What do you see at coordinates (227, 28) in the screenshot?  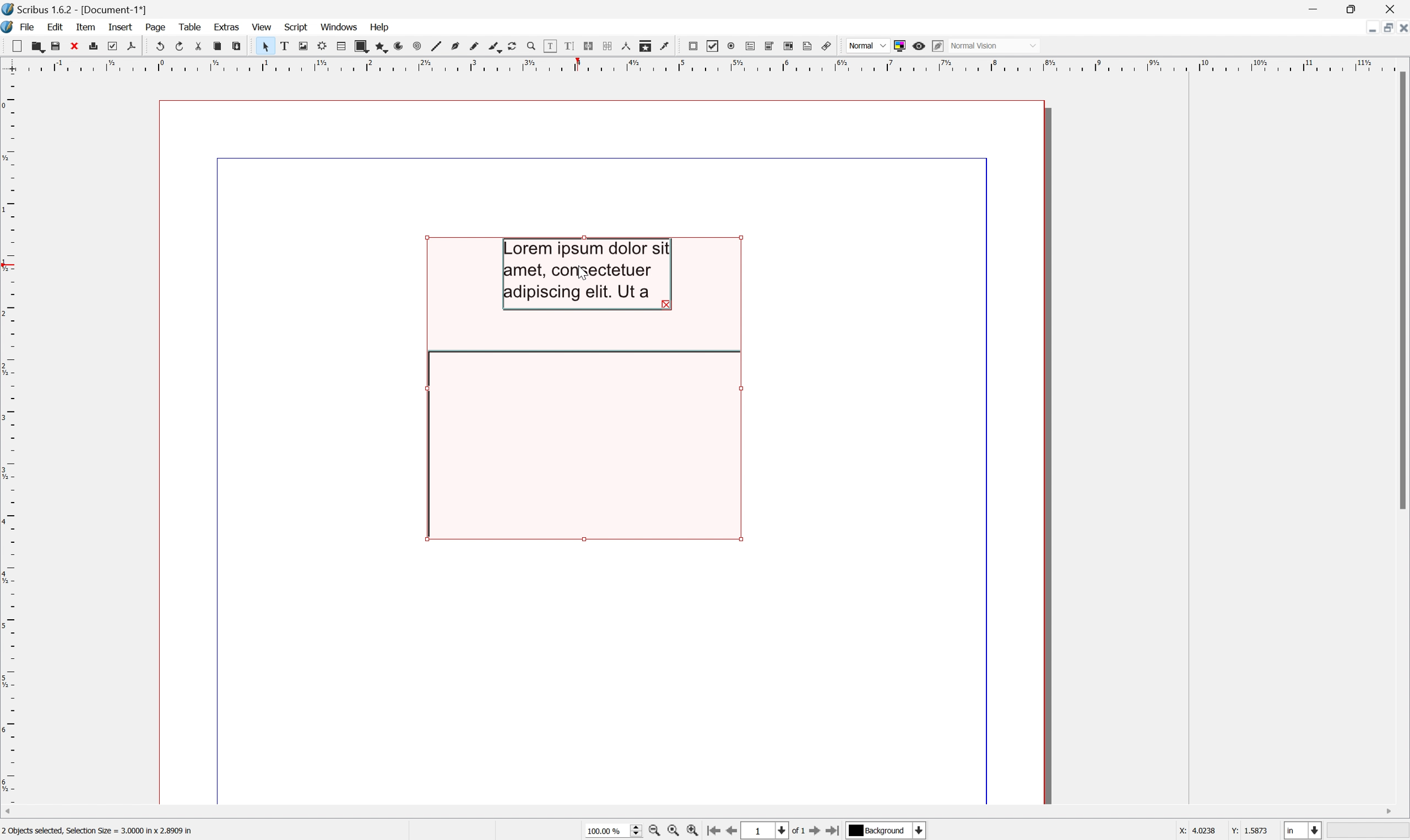 I see `Extras` at bounding box center [227, 28].